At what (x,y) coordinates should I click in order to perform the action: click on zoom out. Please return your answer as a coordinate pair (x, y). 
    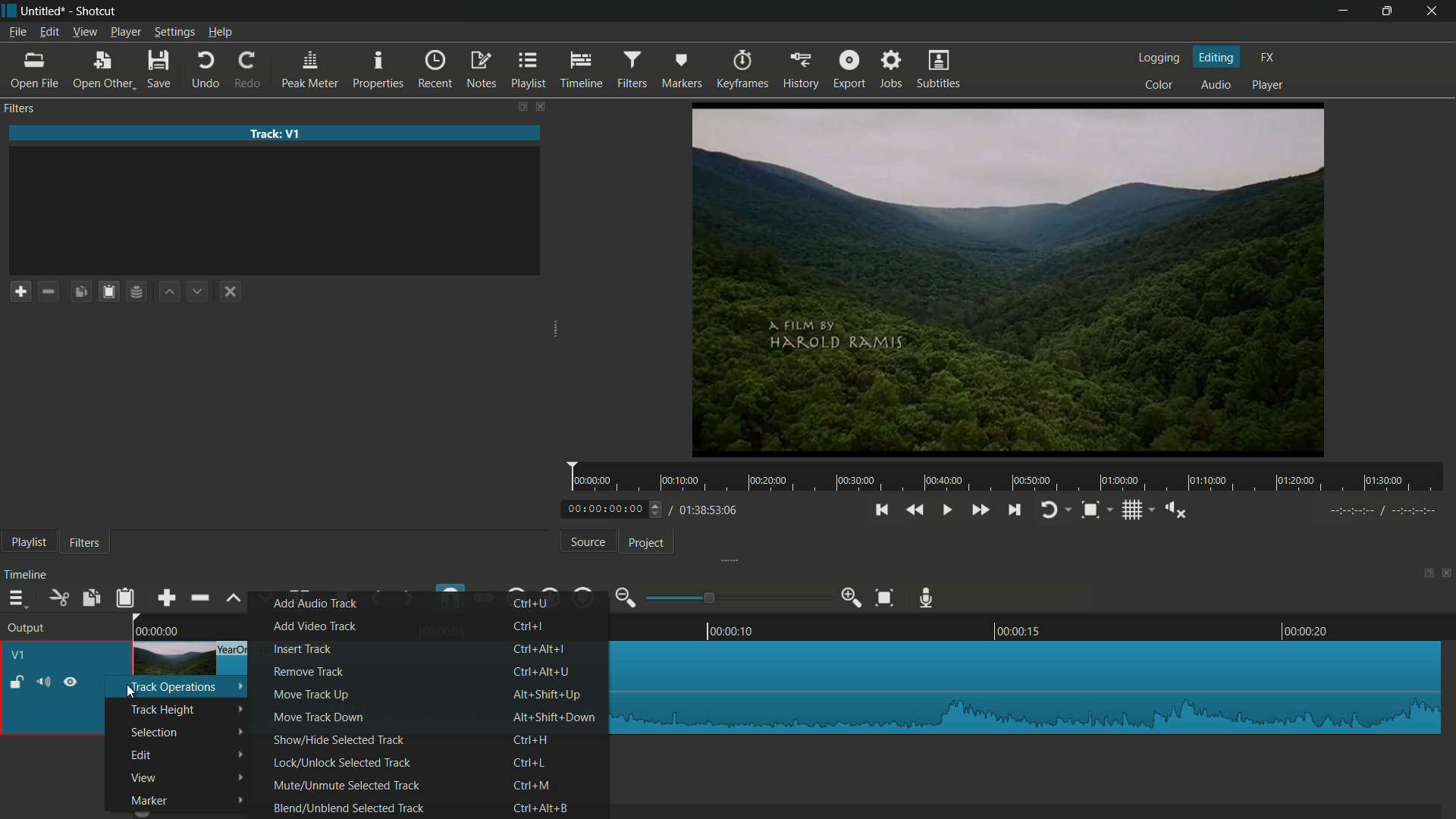
    Looking at the image, I should click on (624, 598).